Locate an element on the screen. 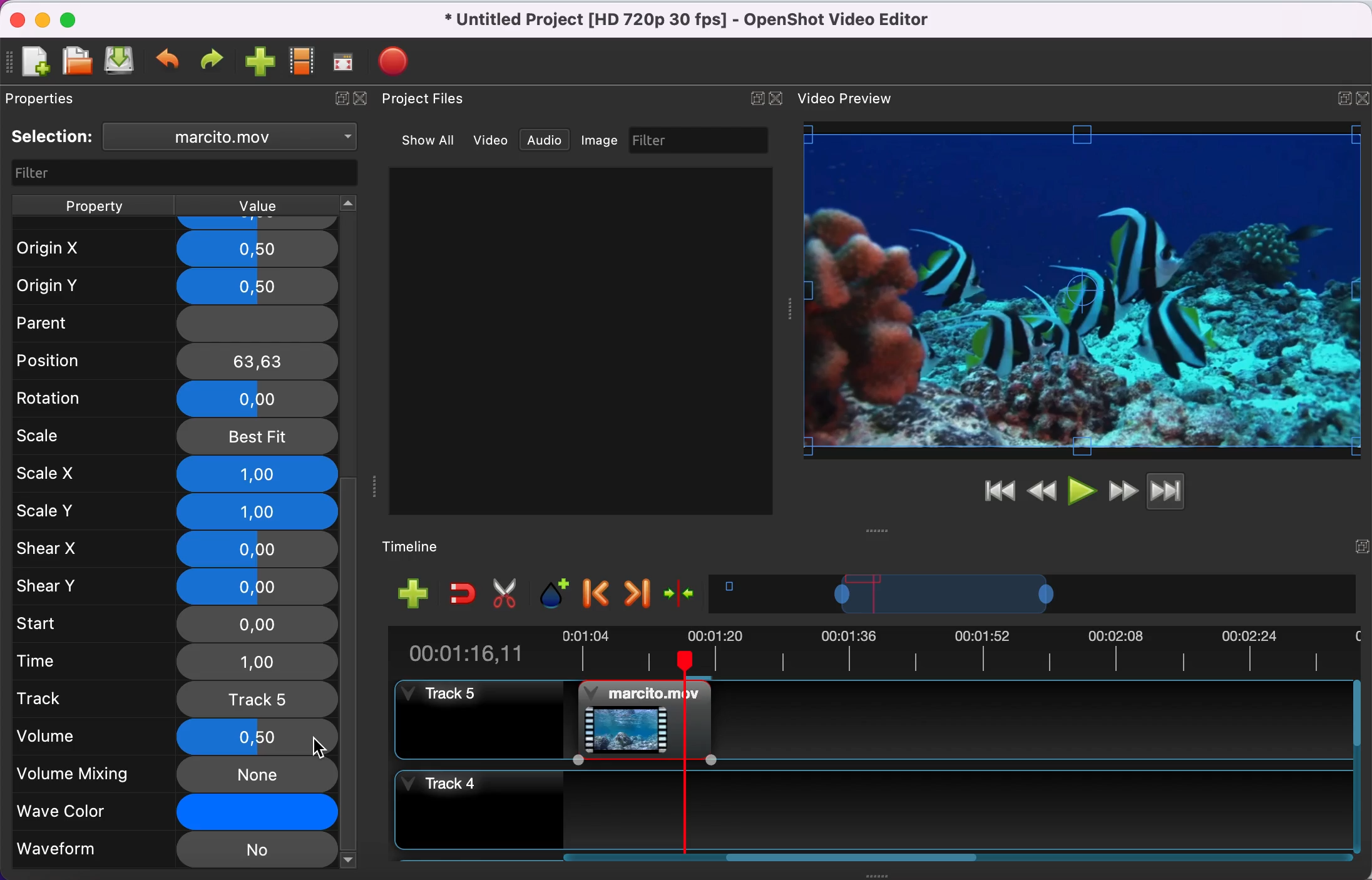 This screenshot has width=1372, height=880. parent is located at coordinates (170, 322).